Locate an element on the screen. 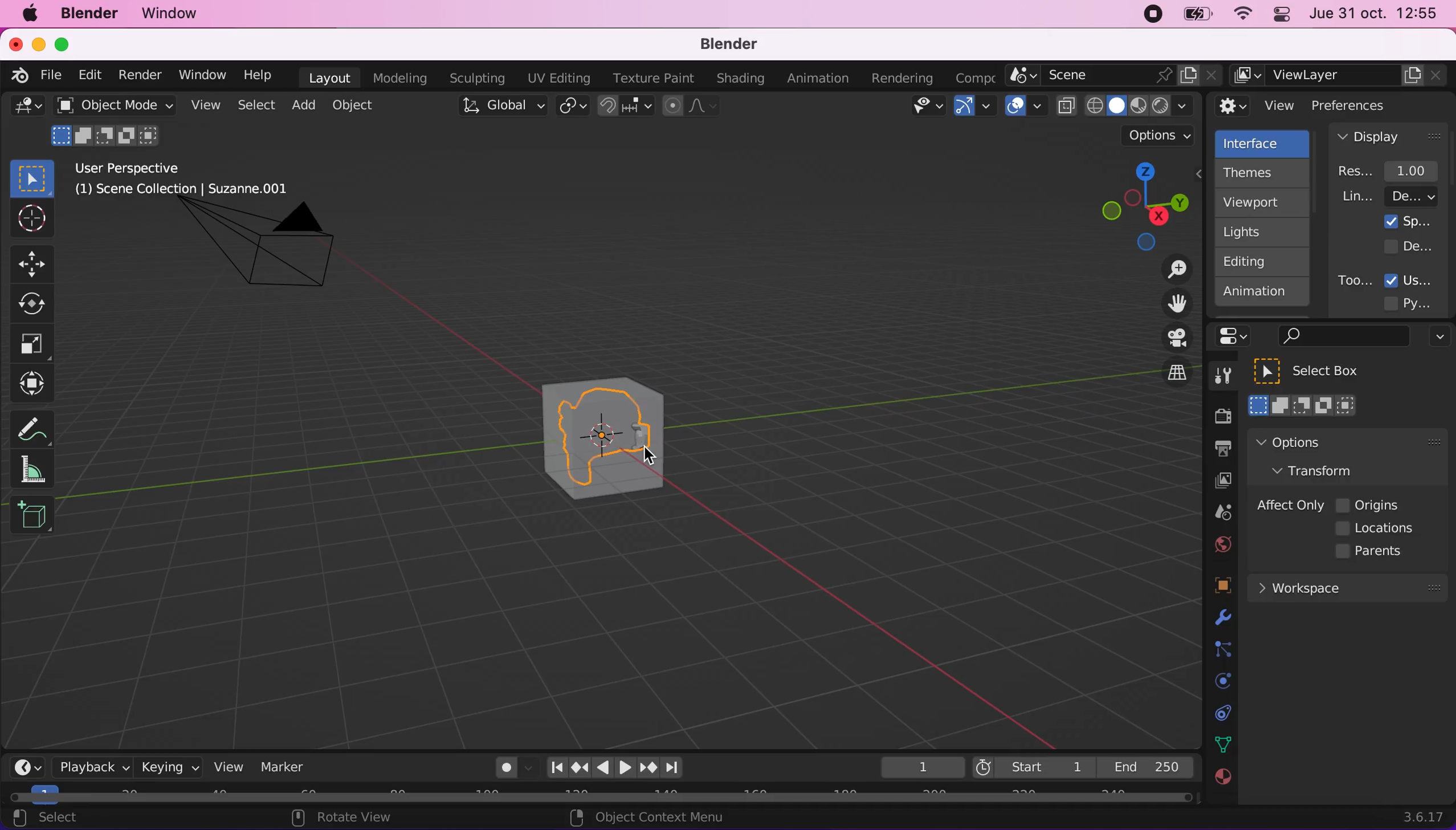  end 250 is located at coordinates (1145, 766).